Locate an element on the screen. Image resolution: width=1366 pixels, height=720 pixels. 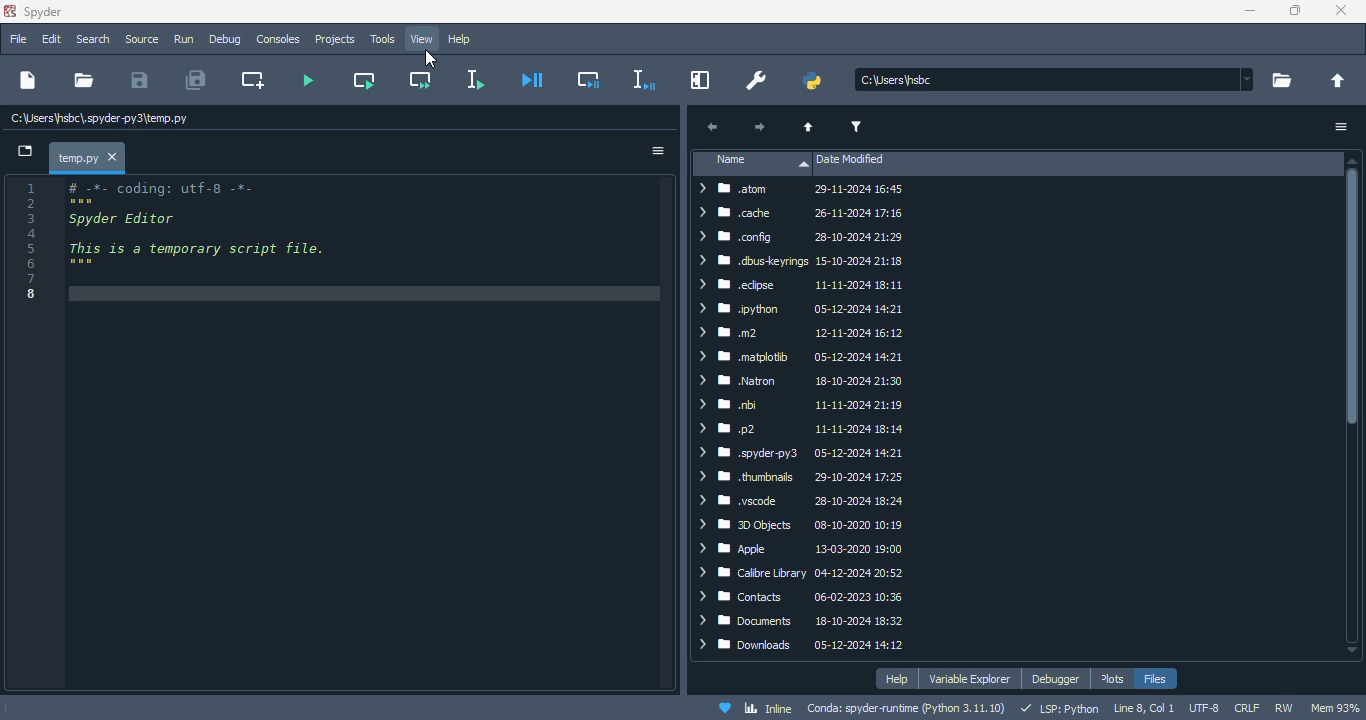
run selection or current line is located at coordinates (473, 80).